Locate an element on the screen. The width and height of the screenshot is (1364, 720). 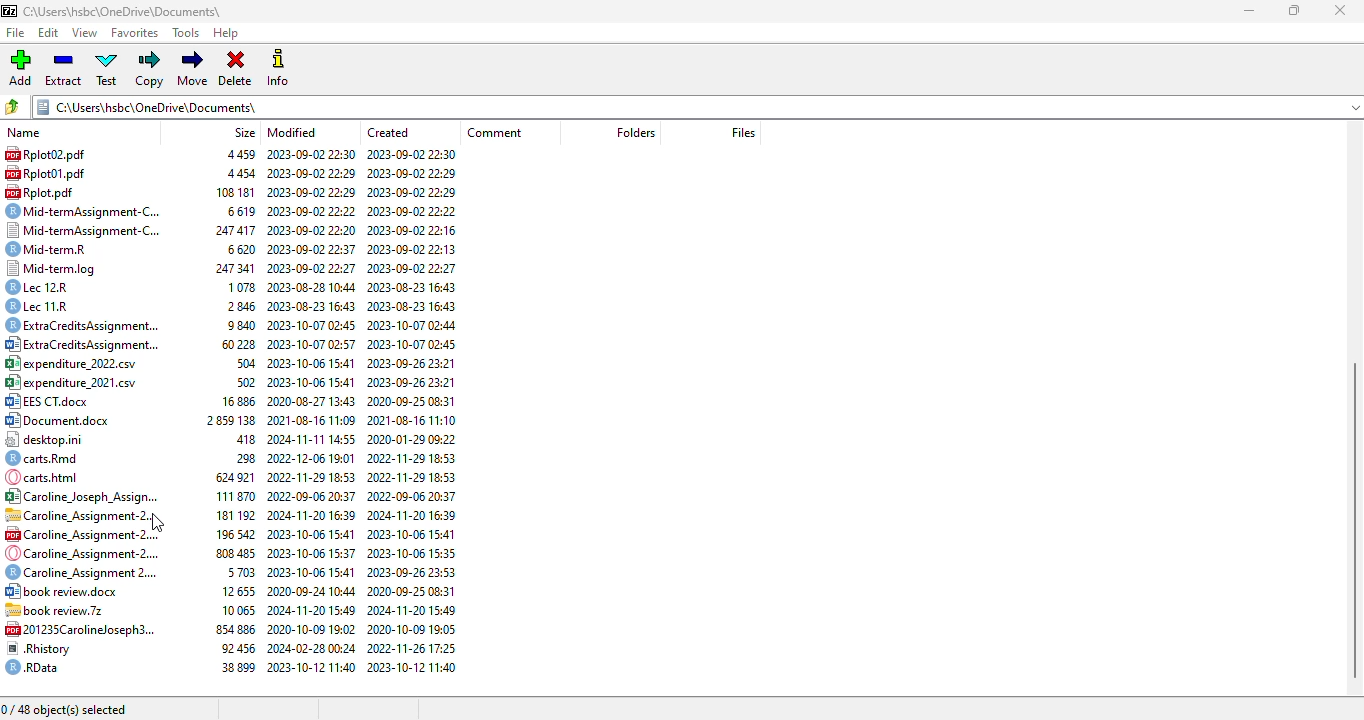
Mid-termleg is located at coordinates (58, 266).